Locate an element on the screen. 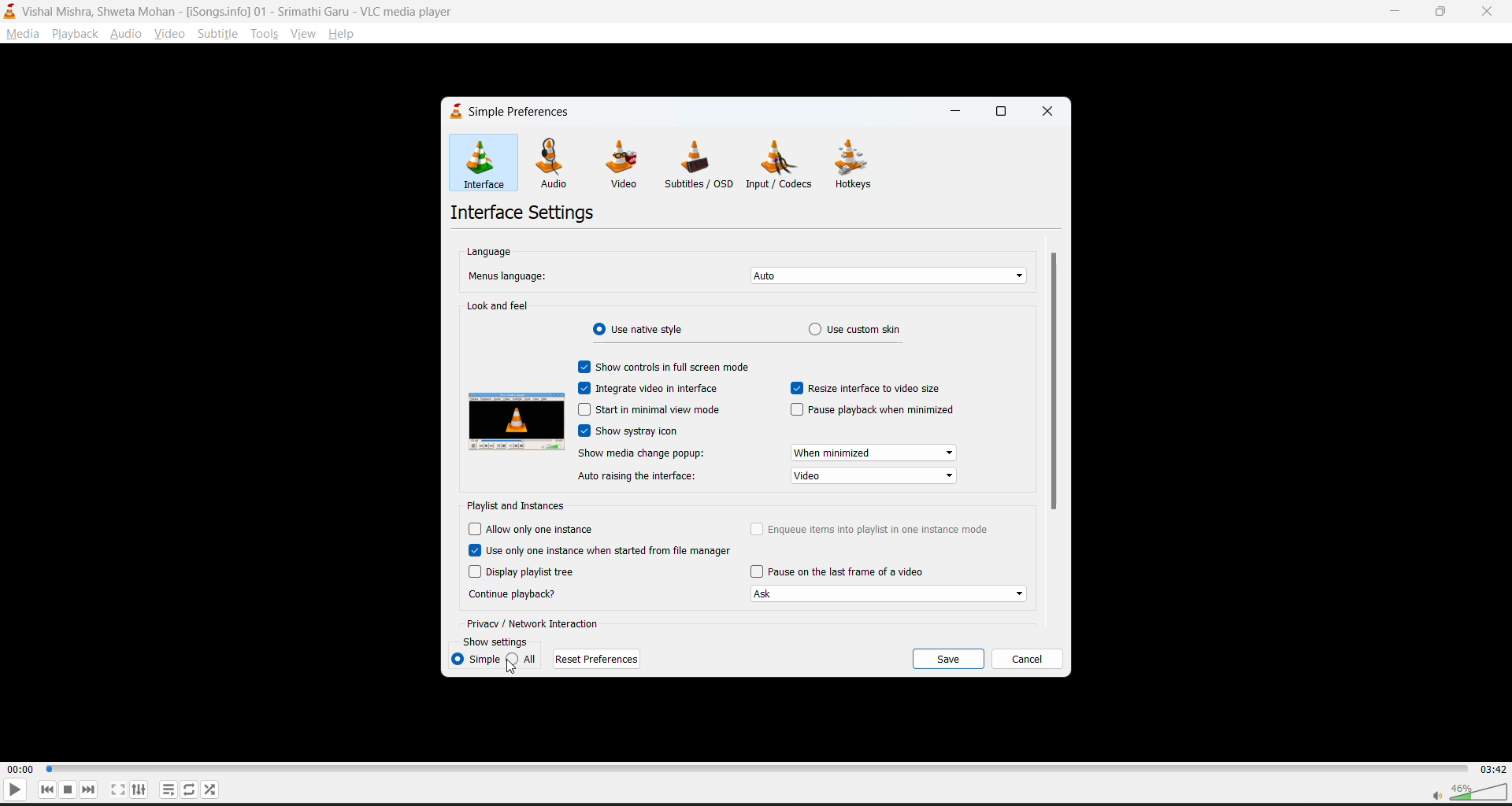 The width and height of the screenshot is (1512, 806). previous is located at coordinates (48, 789).